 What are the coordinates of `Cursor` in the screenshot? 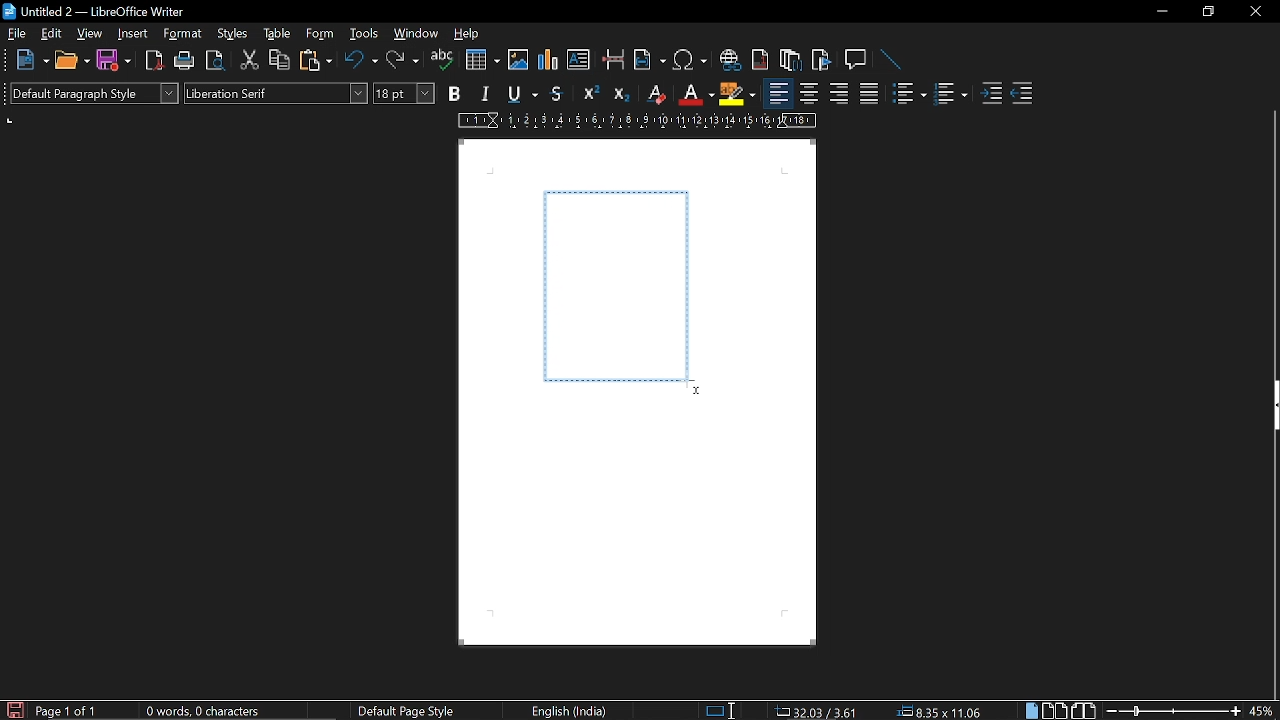 It's located at (693, 388).